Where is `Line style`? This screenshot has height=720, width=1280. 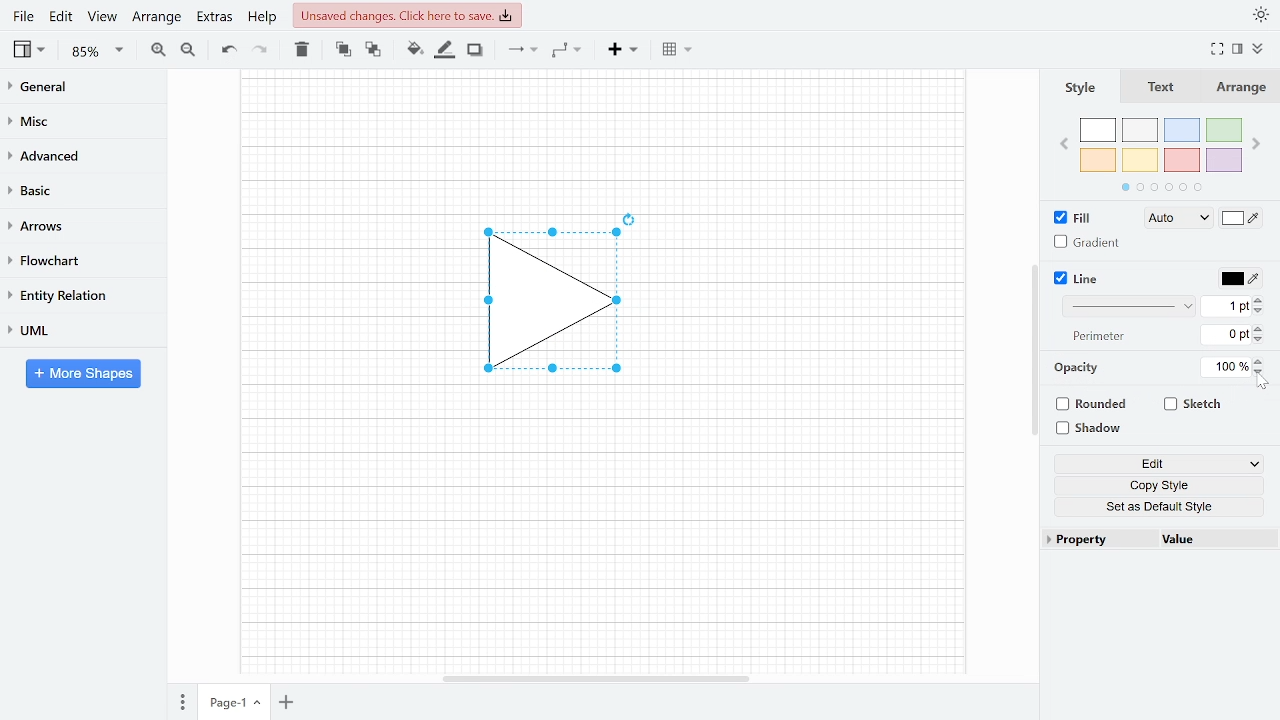
Line style is located at coordinates (1132, 306).